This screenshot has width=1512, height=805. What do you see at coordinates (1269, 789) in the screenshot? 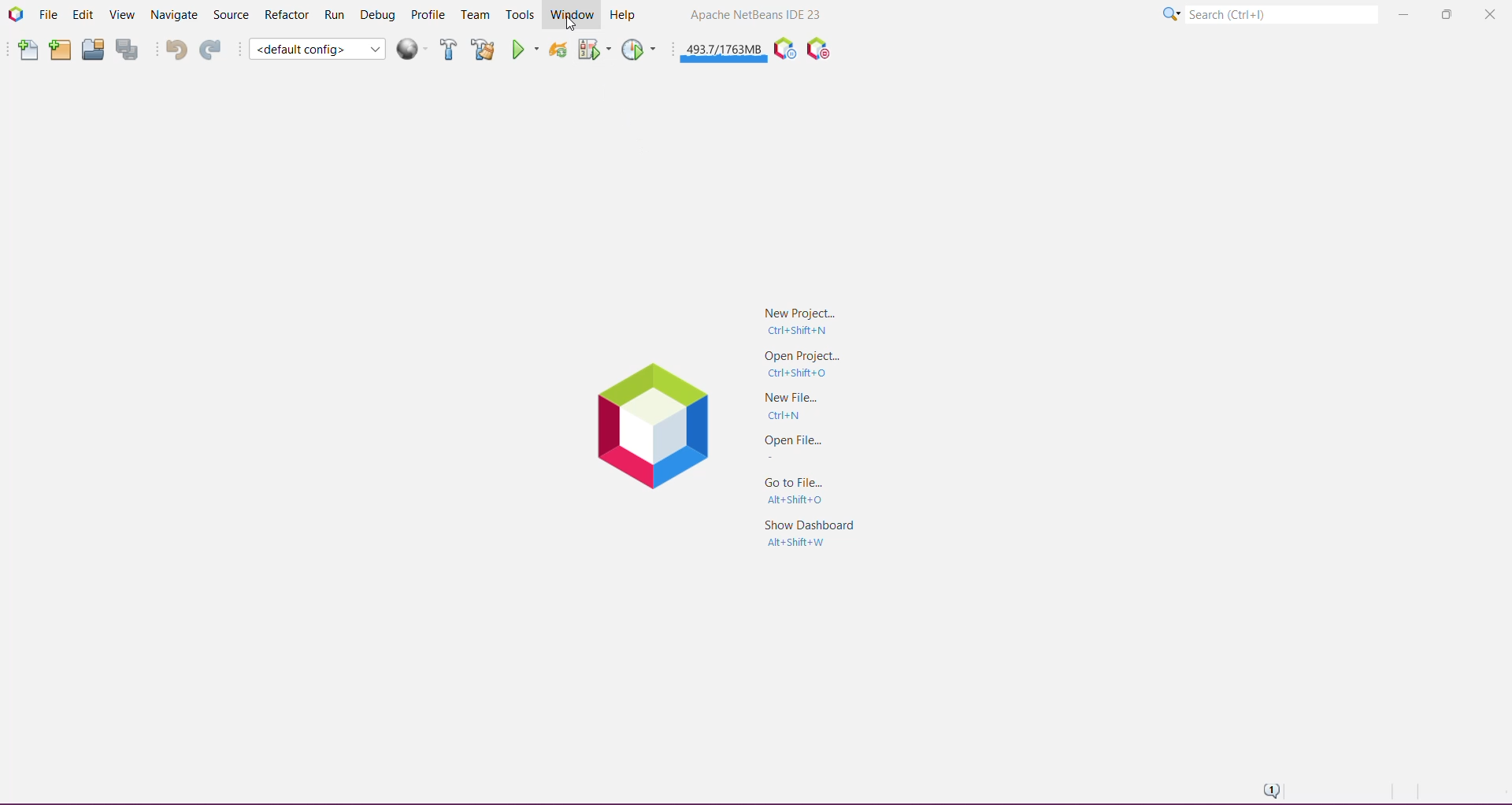
I see `Notifications` at bounding box center [1269, 789].